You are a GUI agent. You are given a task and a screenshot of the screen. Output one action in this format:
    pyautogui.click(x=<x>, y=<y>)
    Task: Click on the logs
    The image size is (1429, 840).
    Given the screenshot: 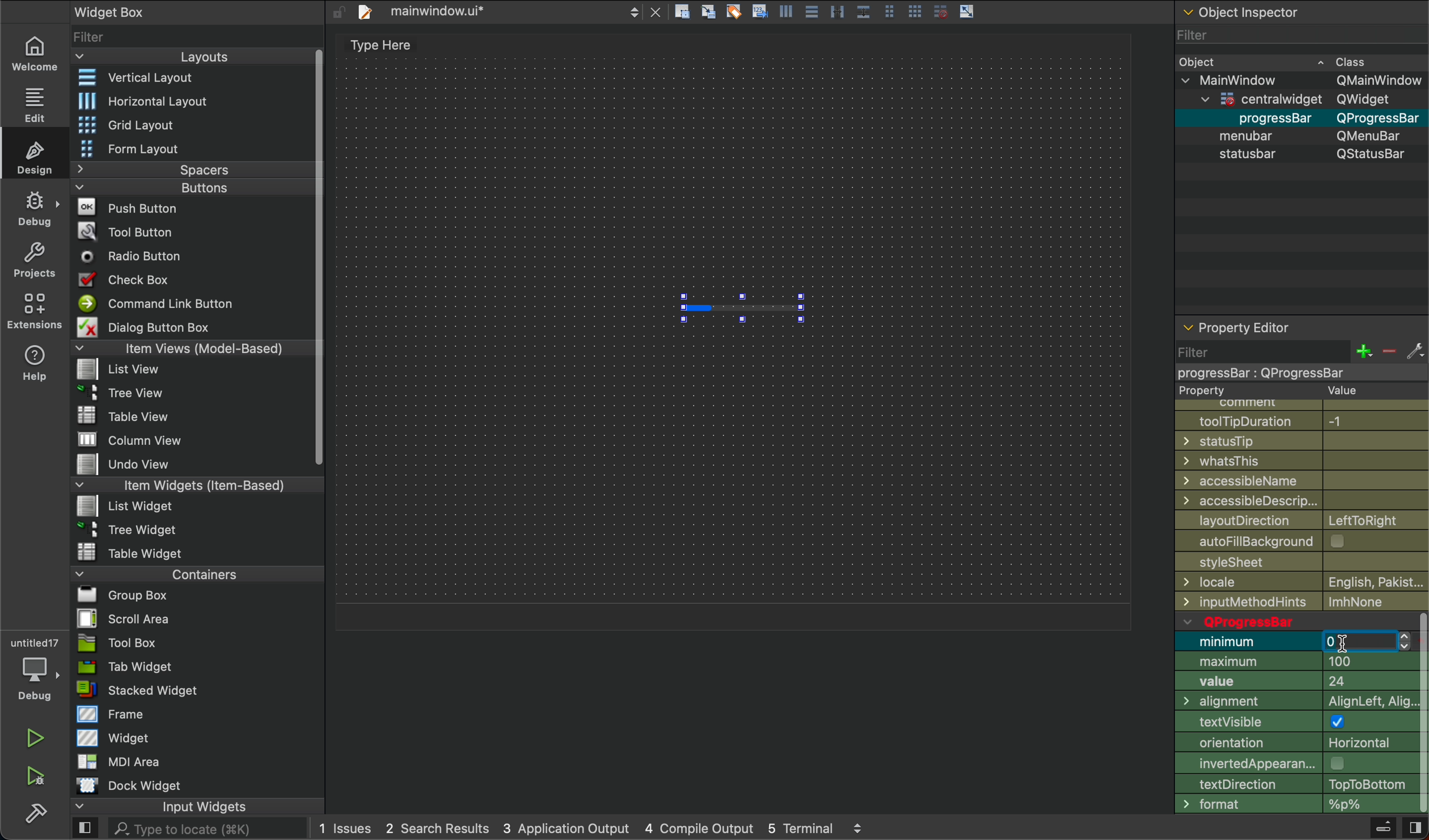 What is the action you would take?
    pyautogui.click(x=591, y=830)
    